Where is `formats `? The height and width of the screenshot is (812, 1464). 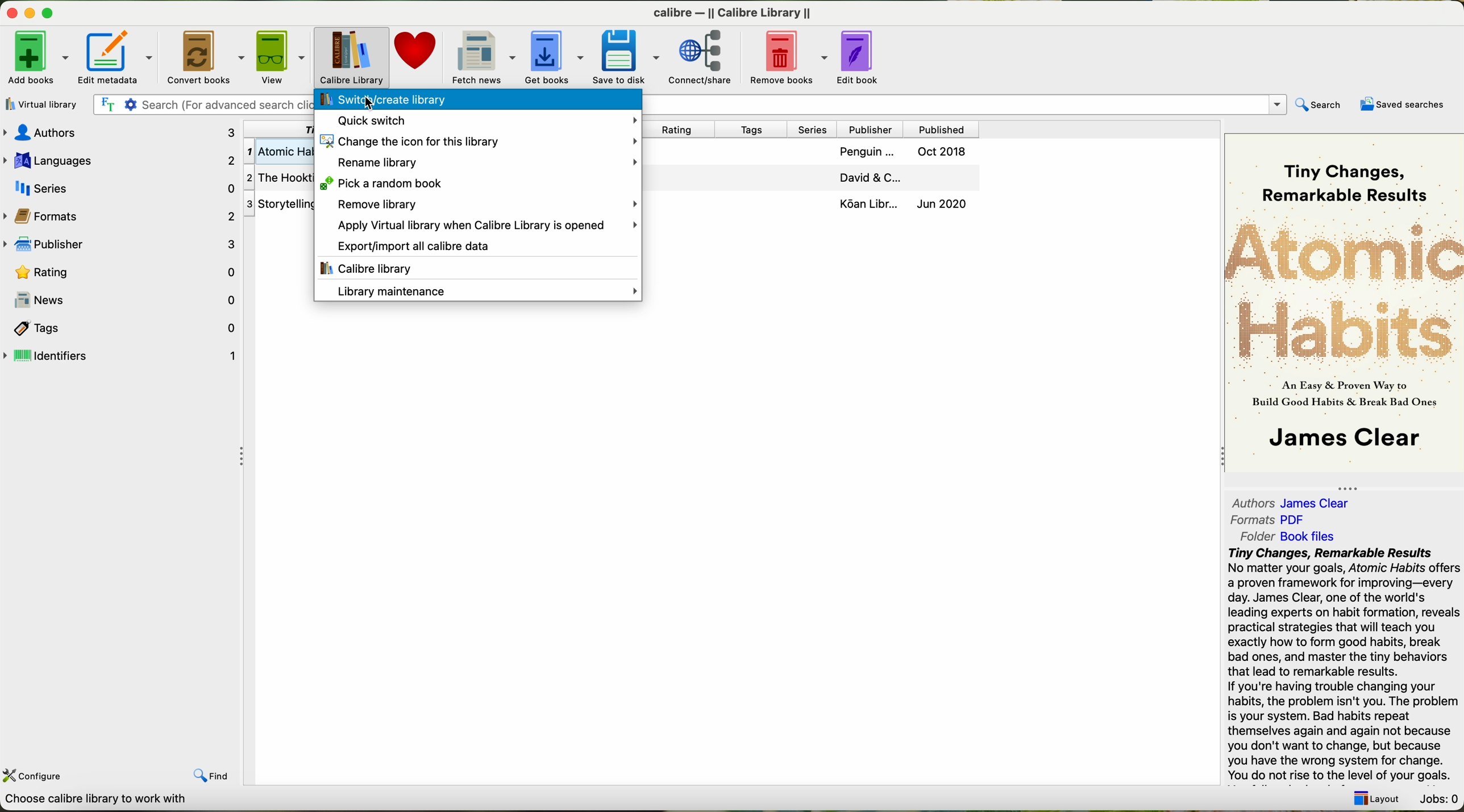 formats  is located at coordinates (1253, 520).